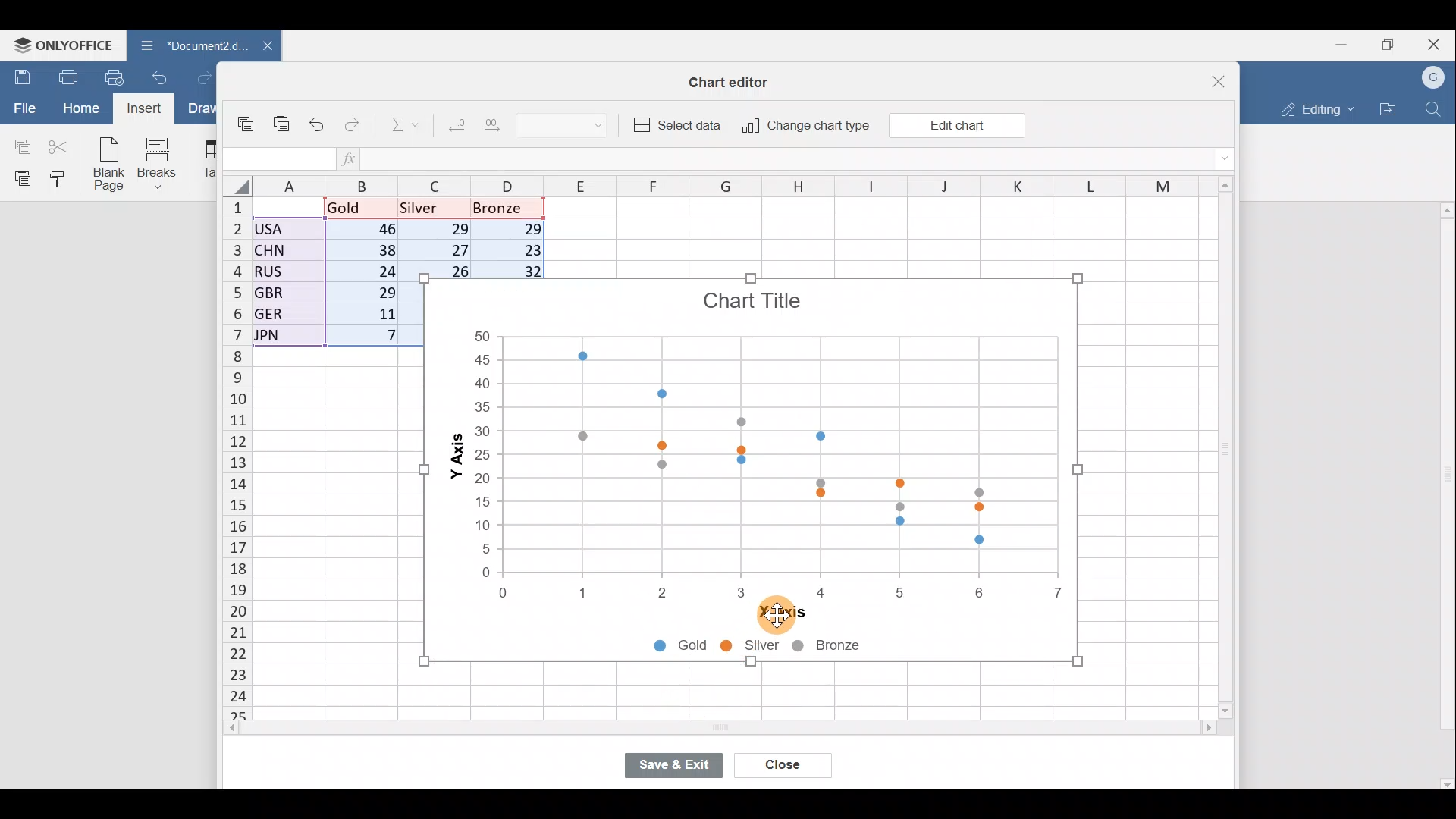 This screenshot has height=819, width=1456. I want to click on Draw, so click(202, 108).